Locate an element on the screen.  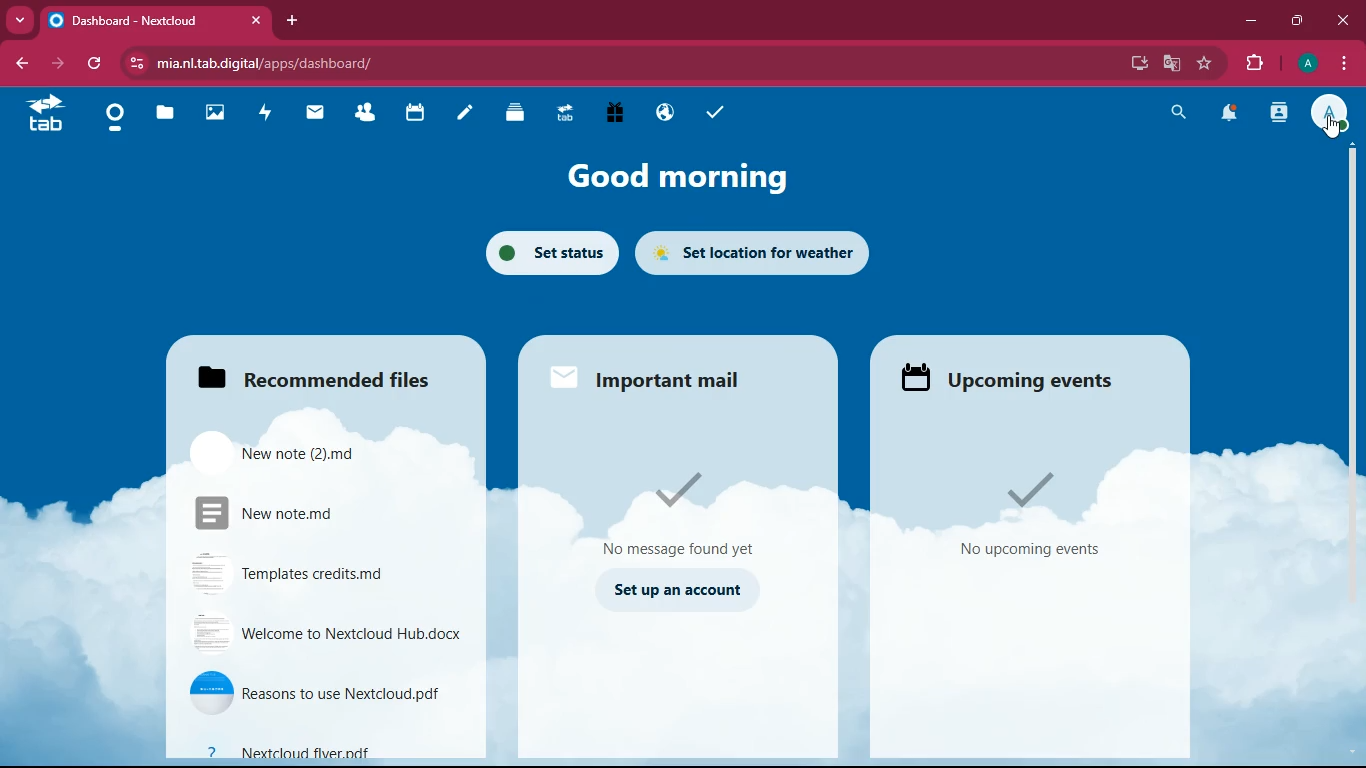
google translate is located at coordinates (1170, 63).